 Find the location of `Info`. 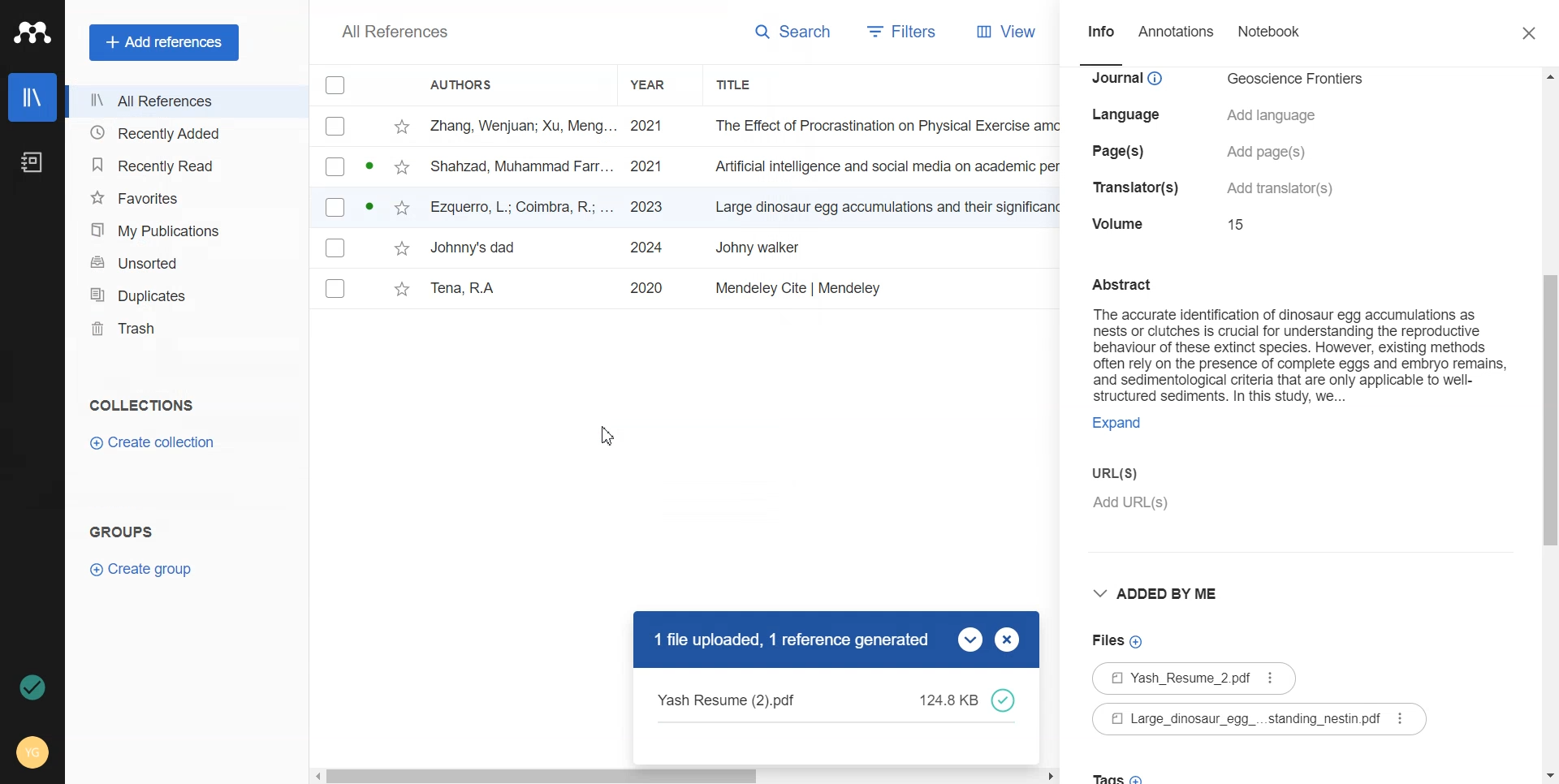

Info is located at coordinates (1099, 34).